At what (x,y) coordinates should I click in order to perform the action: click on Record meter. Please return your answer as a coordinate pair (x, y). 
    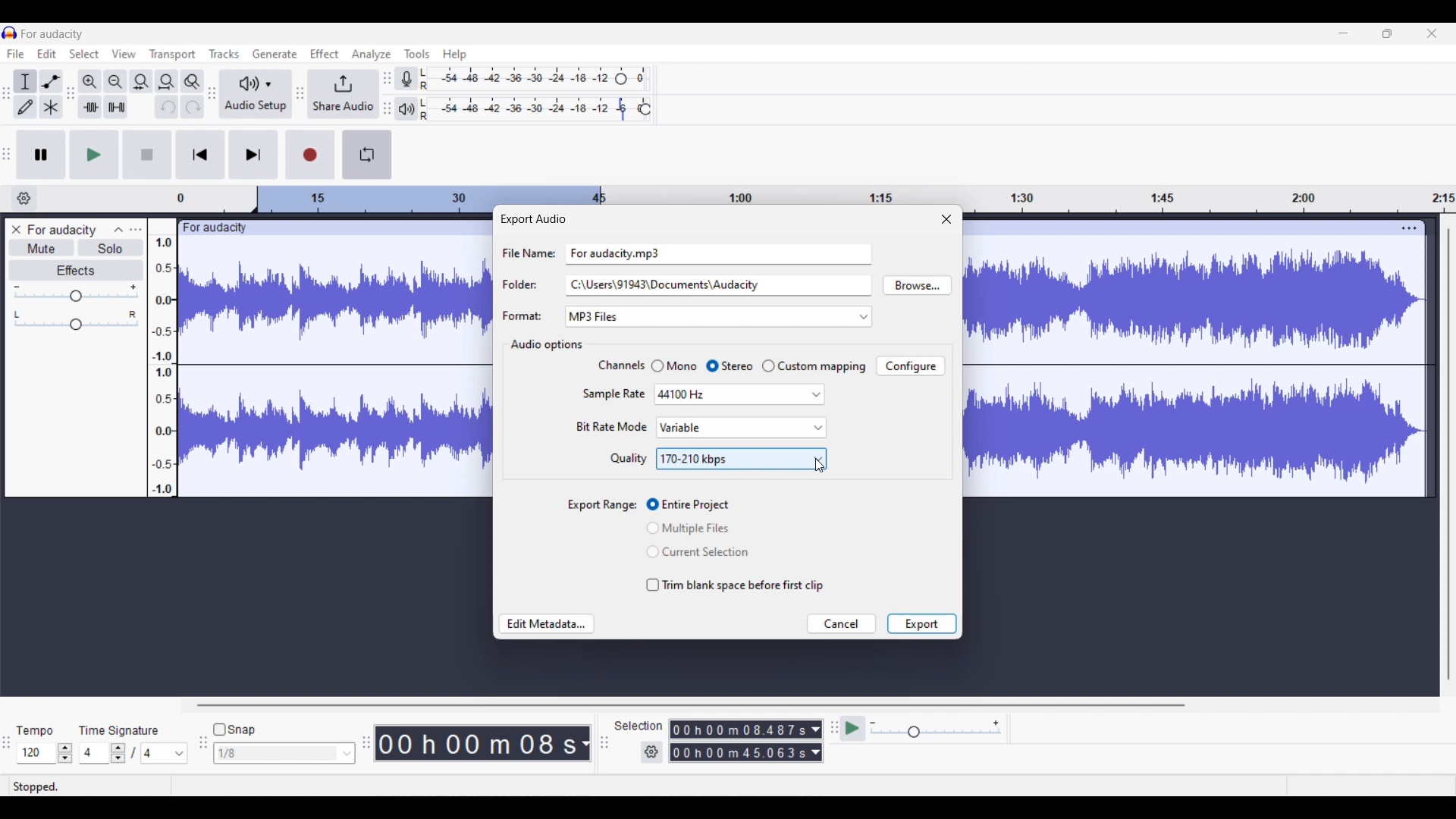
    Looking at the image, I should click on (407, 79).